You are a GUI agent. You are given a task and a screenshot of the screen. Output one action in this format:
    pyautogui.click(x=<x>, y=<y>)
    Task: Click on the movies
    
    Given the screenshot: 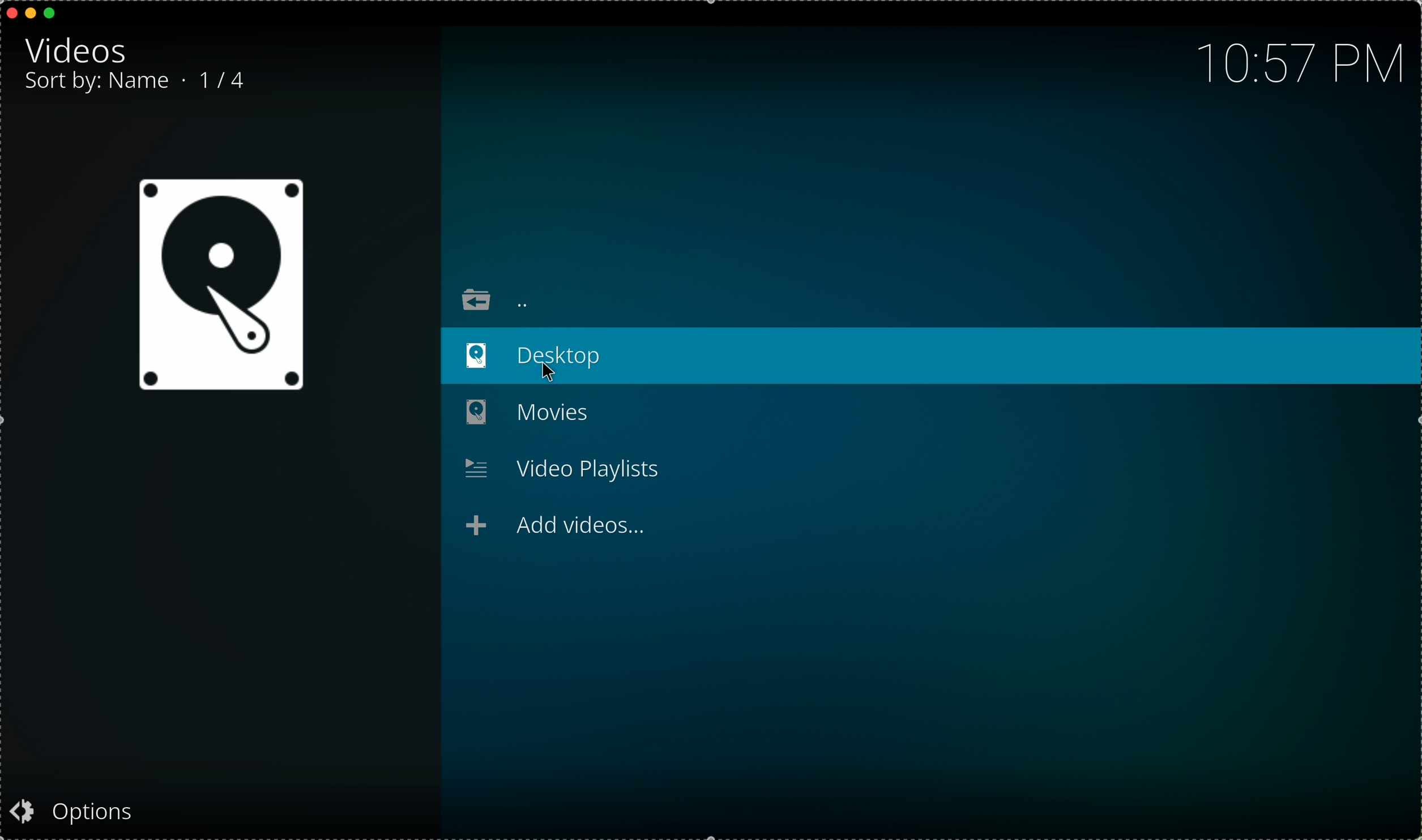 What is the action you would take?
    pyautogui.click(x=537, y=413)
    